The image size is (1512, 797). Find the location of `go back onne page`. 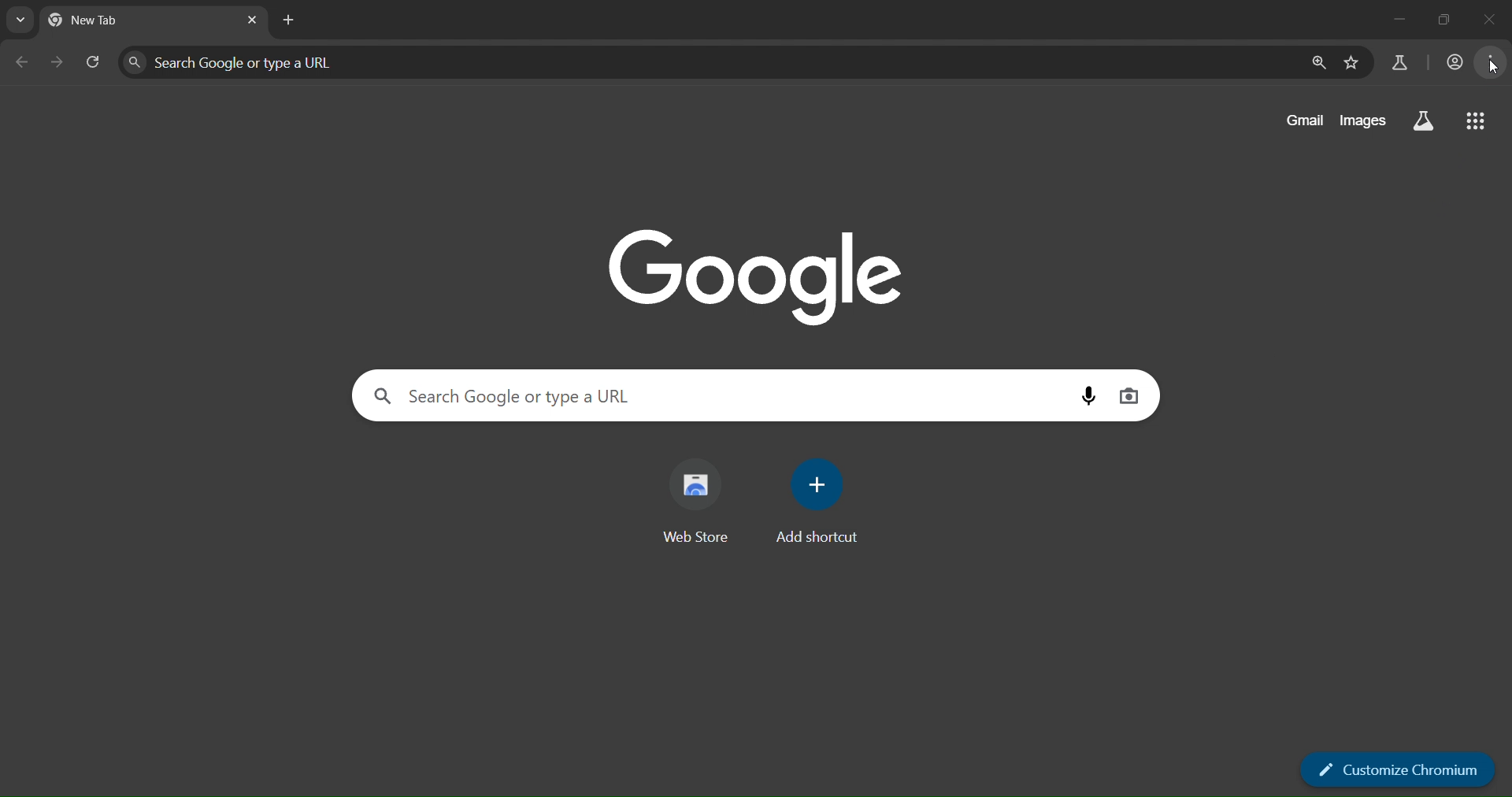

go back onne page is located at coordinates (20, 61).